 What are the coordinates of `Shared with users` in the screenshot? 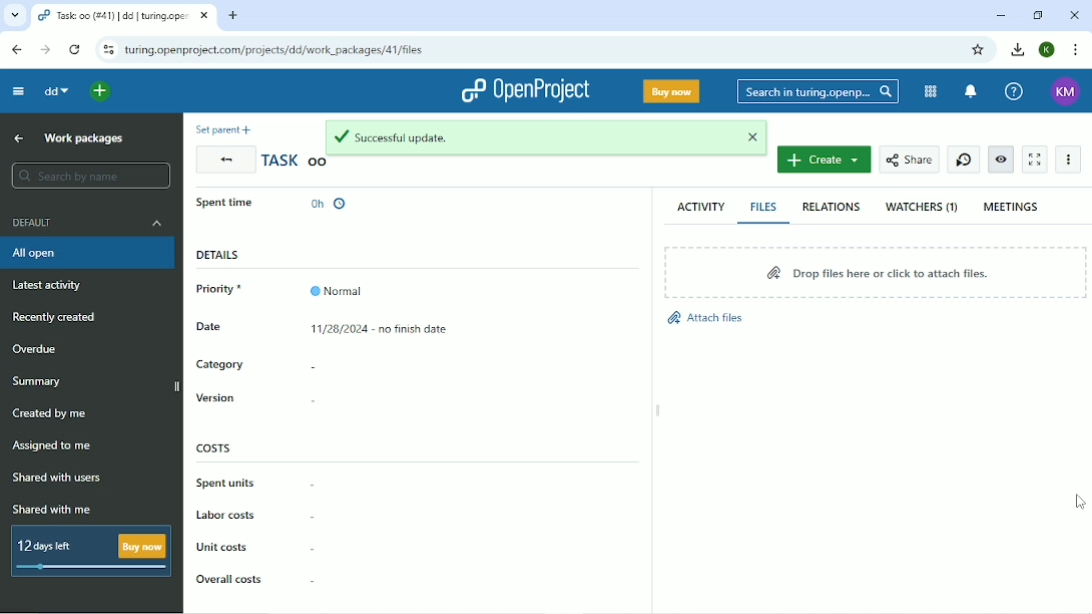 It's located at (57, 479).